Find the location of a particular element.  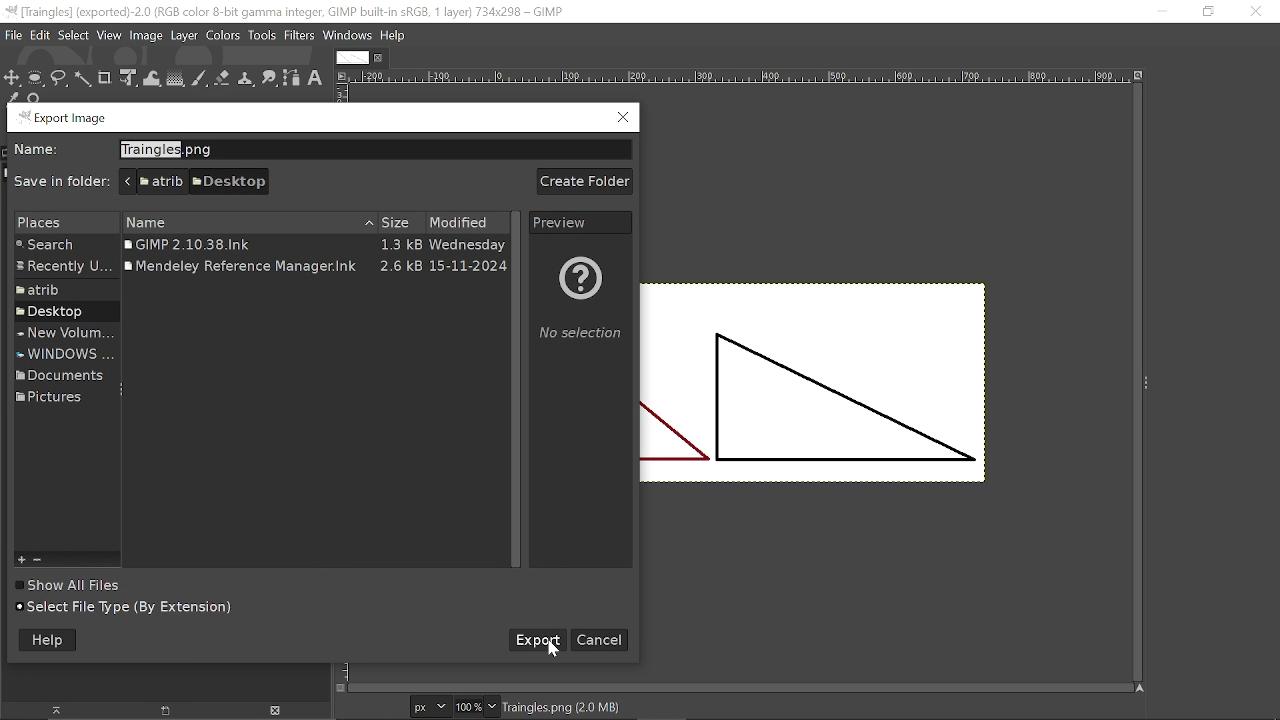

Zoom option is located at coordinates (492, 706).